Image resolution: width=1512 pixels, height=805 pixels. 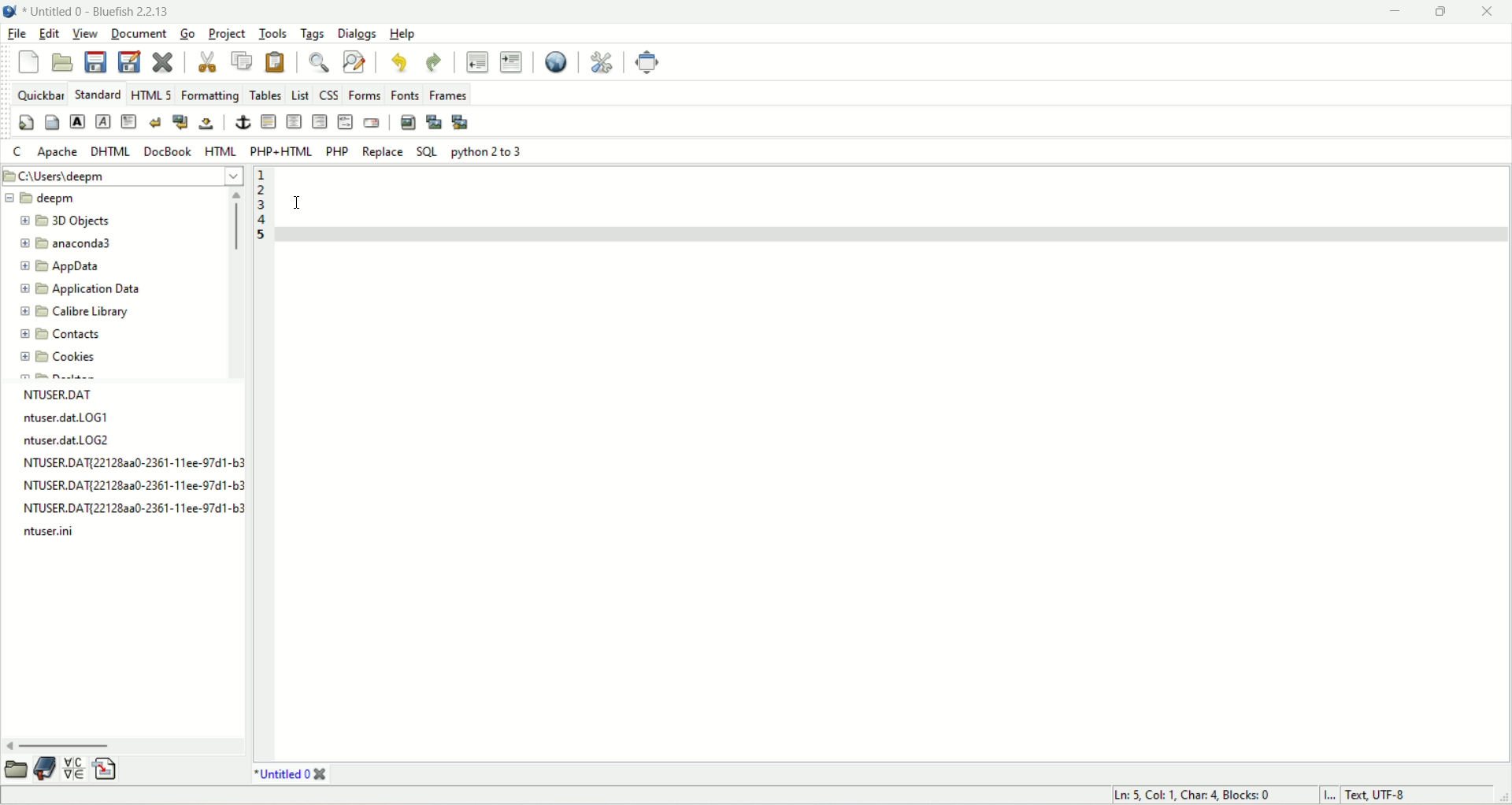 What do you see at coordinates (647, 63) in the screenshot?
I see `fullscreen` at bounding box center [647, 63].